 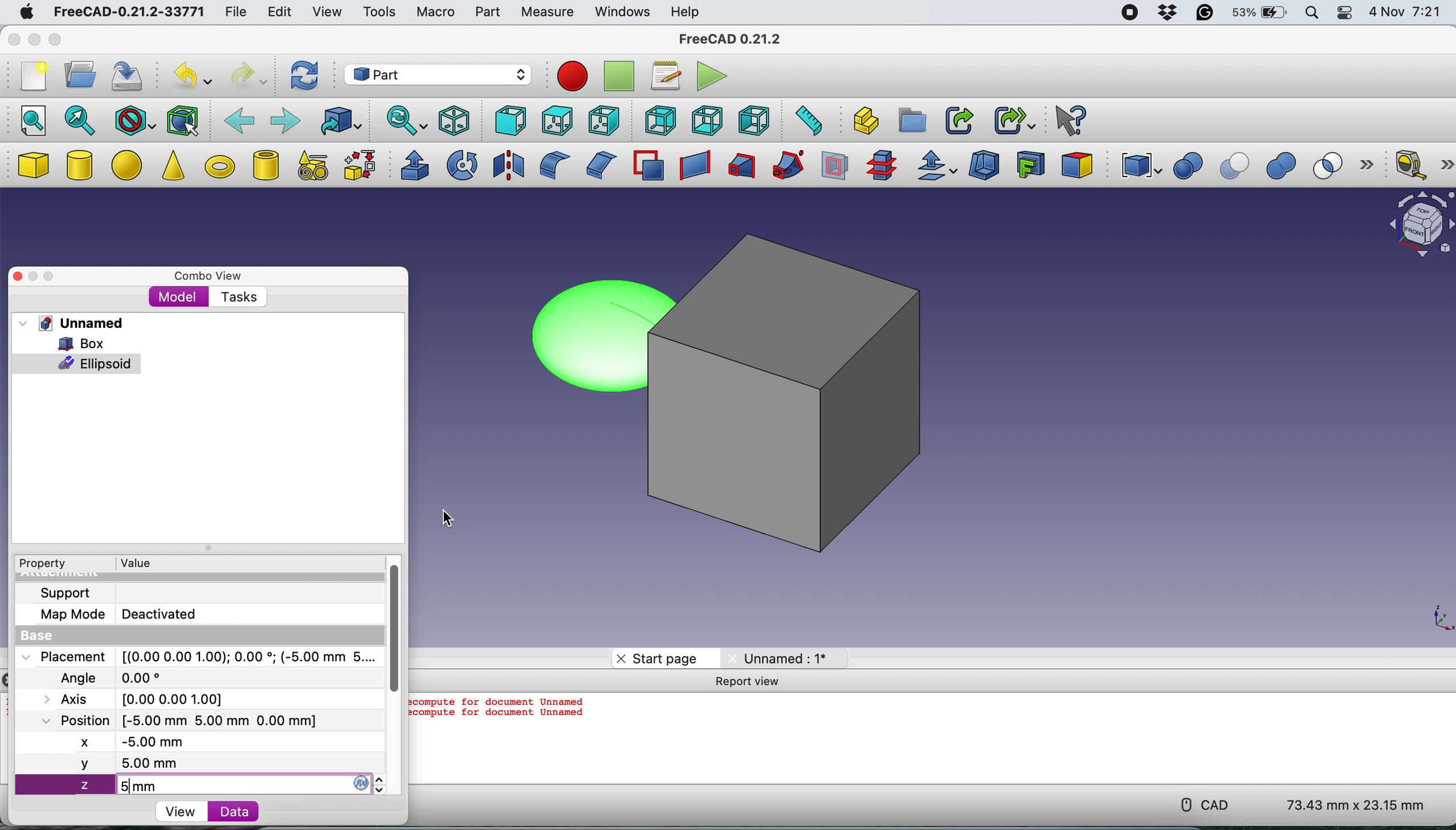 I want to click on tasks, so click(x=236, y=297).